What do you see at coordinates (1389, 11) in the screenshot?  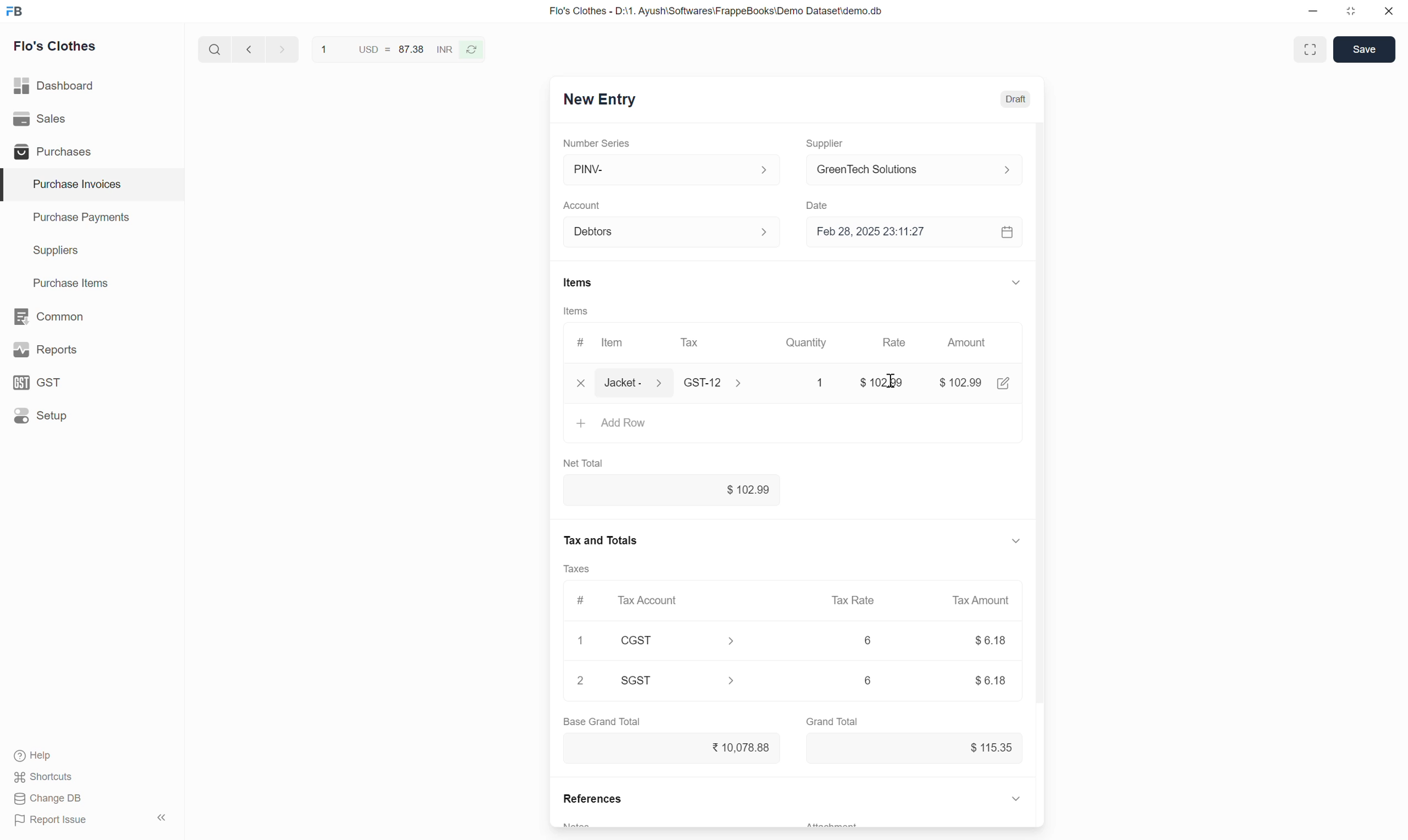 I see `Close` at bounding box center [1389, 11].